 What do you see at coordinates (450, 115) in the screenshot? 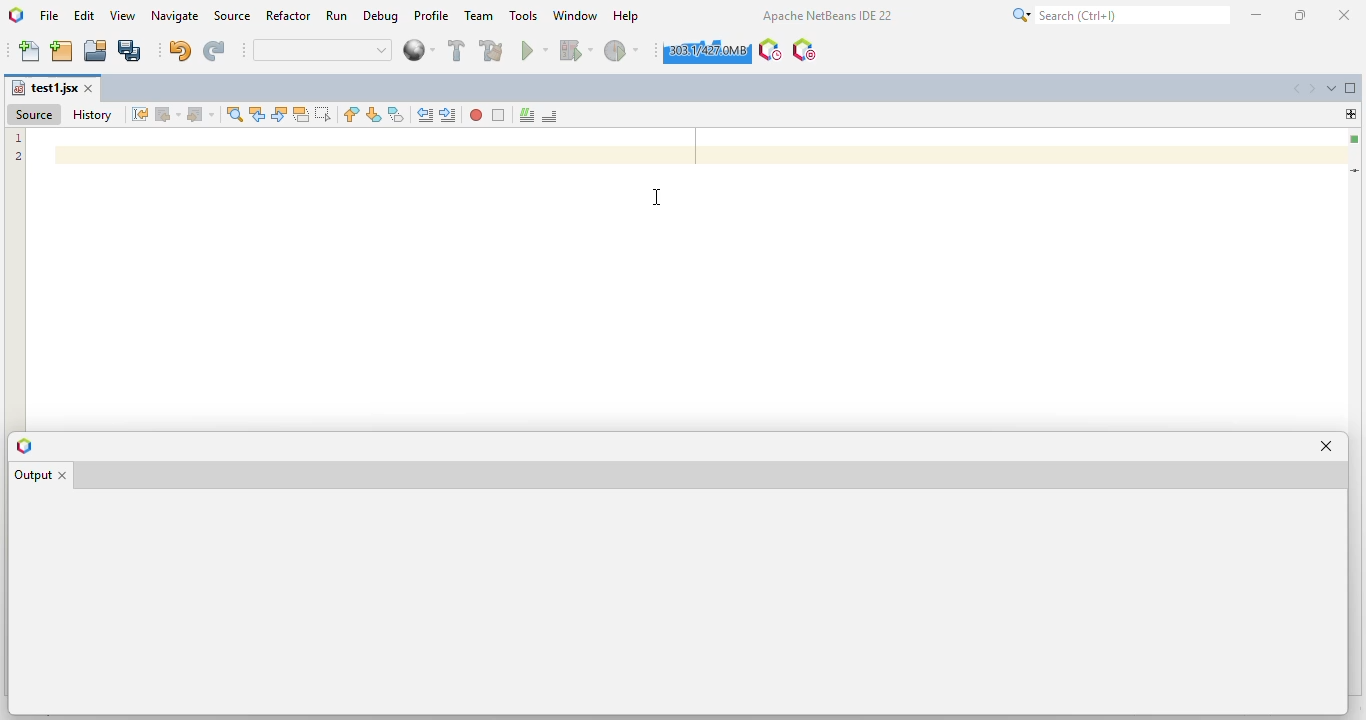
I see `shift line right` at bounding box center [450, 115].